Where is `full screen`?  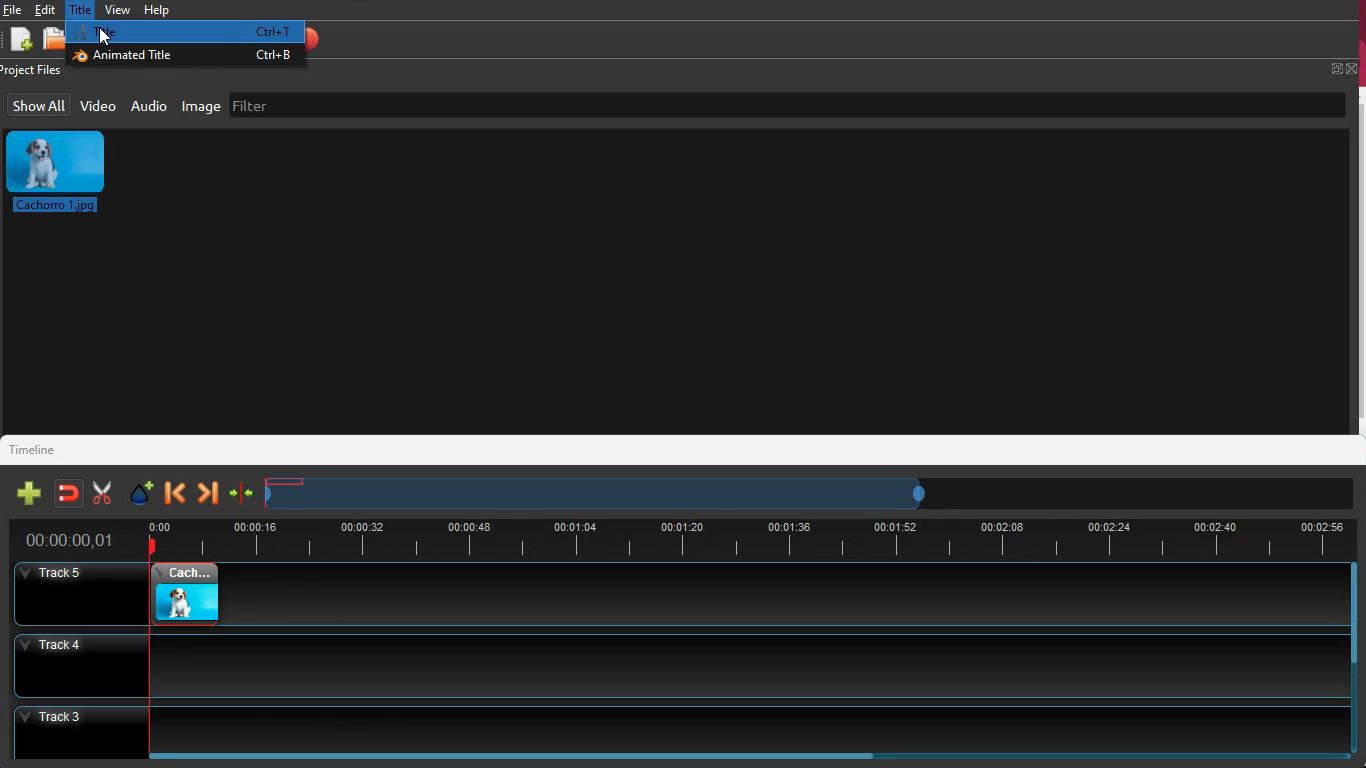
full screen is located at coordinates (1344, 68).